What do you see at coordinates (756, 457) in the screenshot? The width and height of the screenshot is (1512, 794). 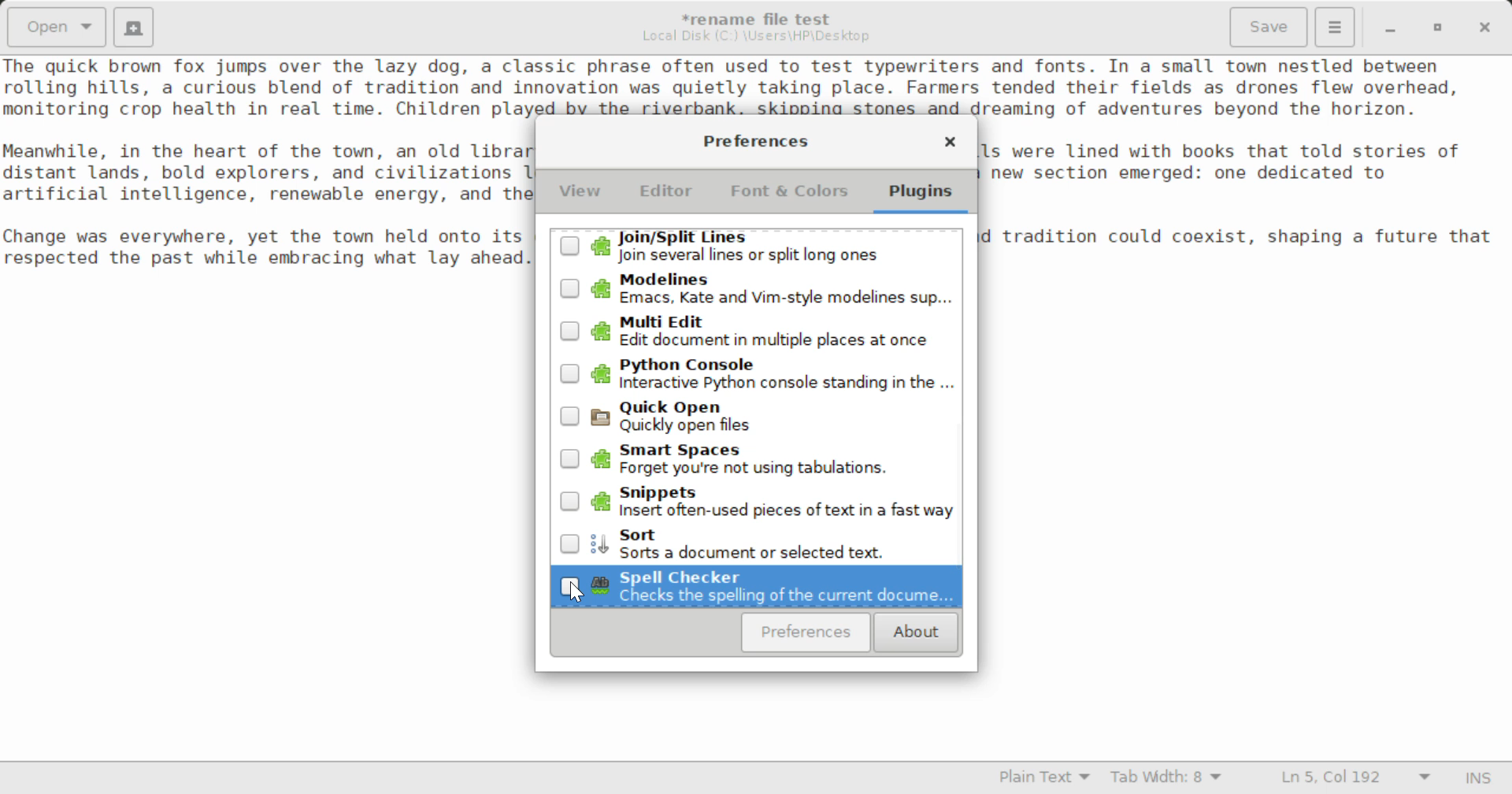 I see `Unselected Smart Spaces` at bounding box center [756, 457].